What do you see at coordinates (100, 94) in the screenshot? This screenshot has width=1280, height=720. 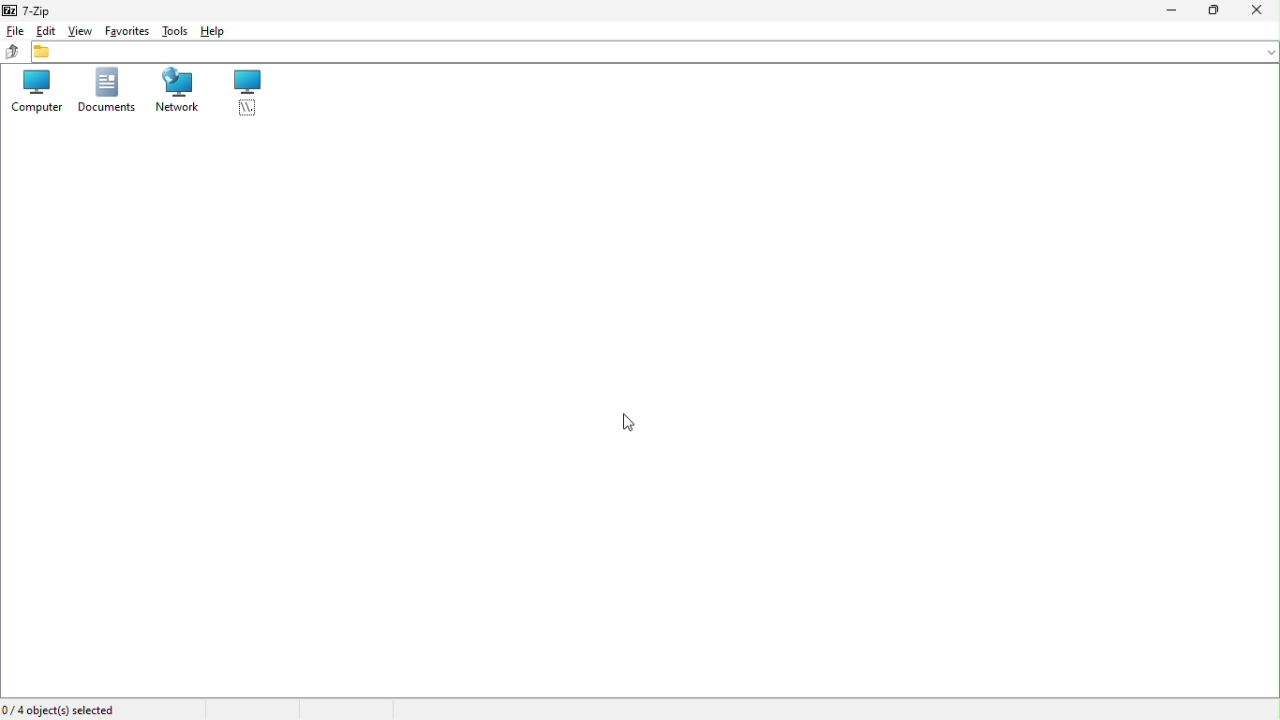 I see `Documents` at bounding box center [100, 94].